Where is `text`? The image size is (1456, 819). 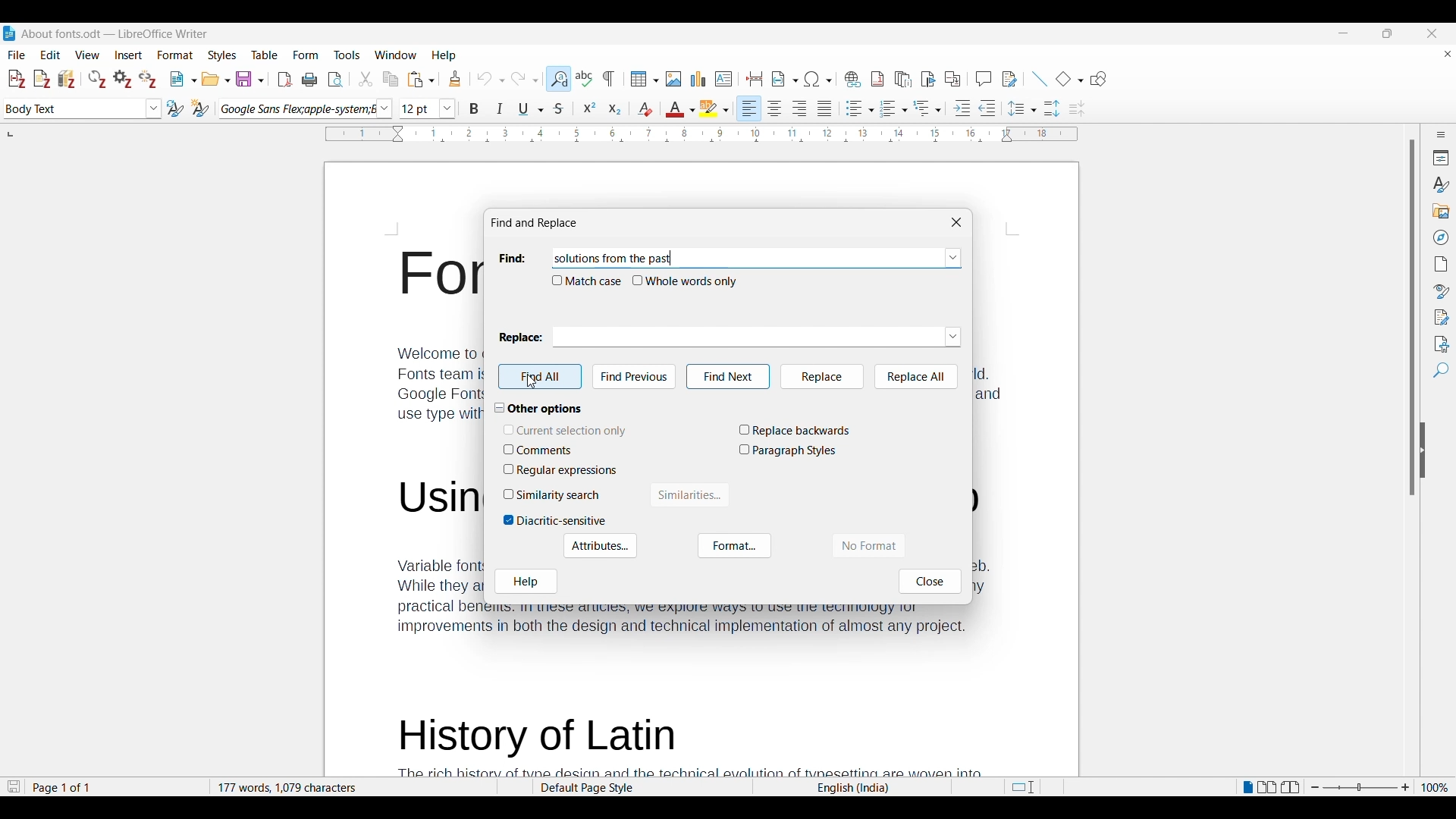
text is located at coordinates (742, 629).